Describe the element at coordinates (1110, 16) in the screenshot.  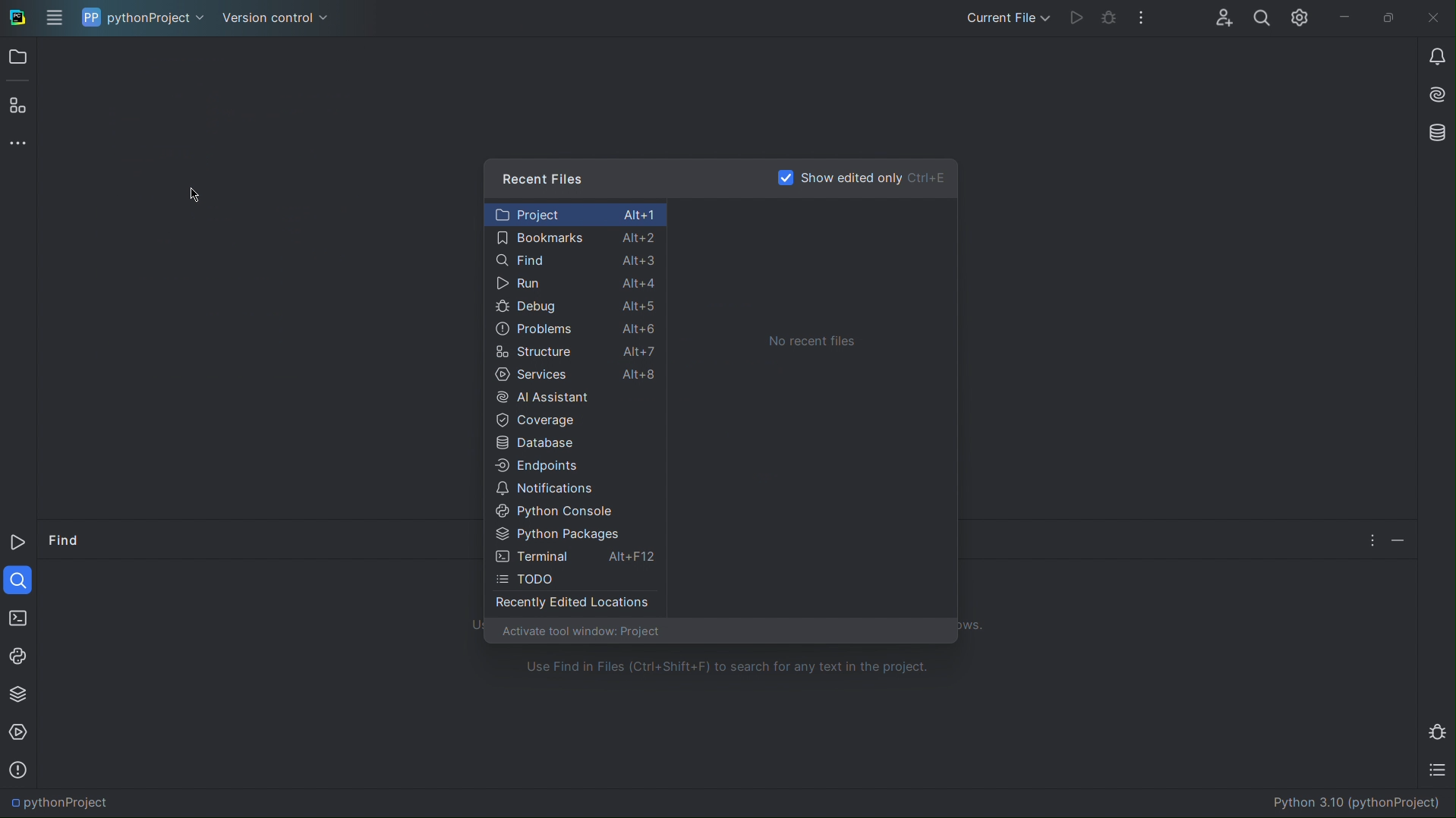
I see `Debug` at that location.